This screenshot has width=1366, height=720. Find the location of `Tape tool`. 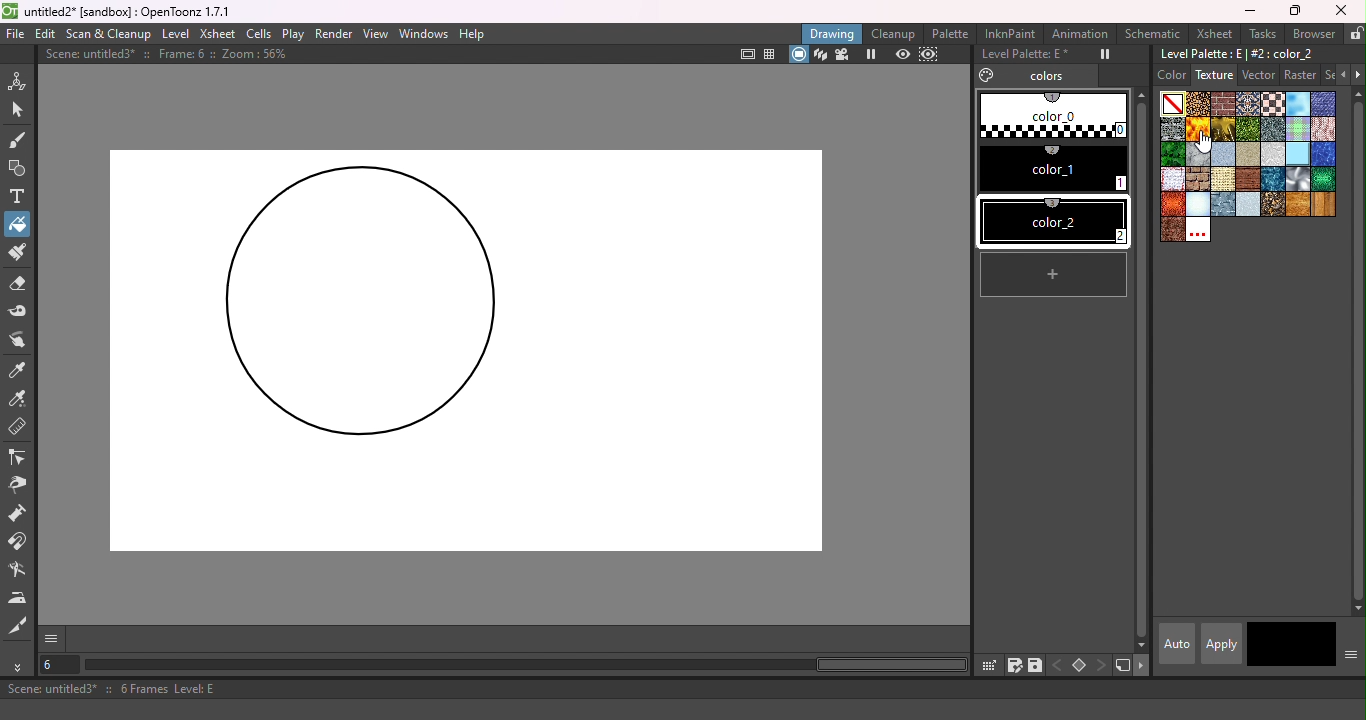

Tape tool is located at coordinates (21, 311).